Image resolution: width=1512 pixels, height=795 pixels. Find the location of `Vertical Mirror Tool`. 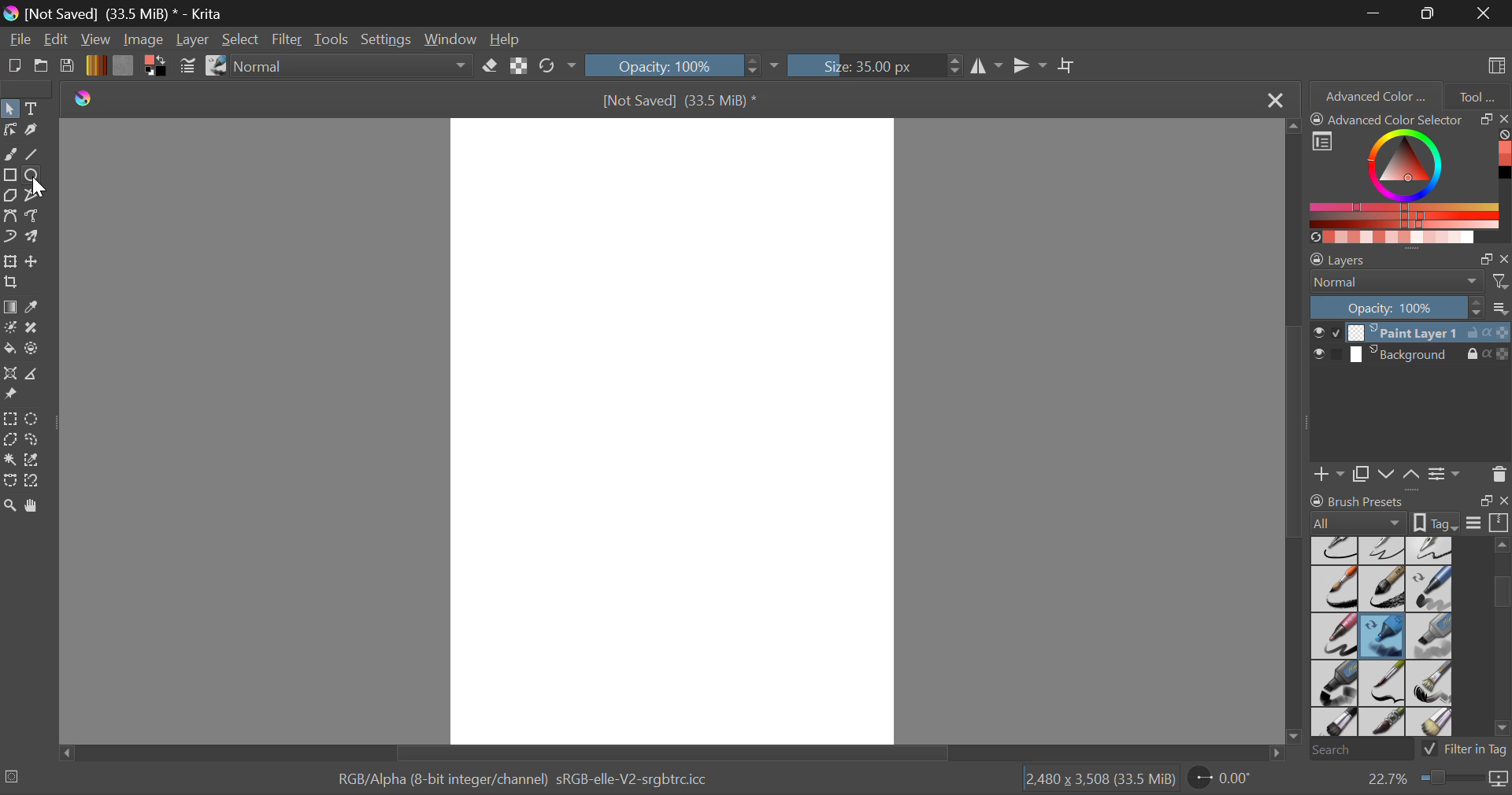

Vertical Mirror Tool is located at coordinates (1029, 66).